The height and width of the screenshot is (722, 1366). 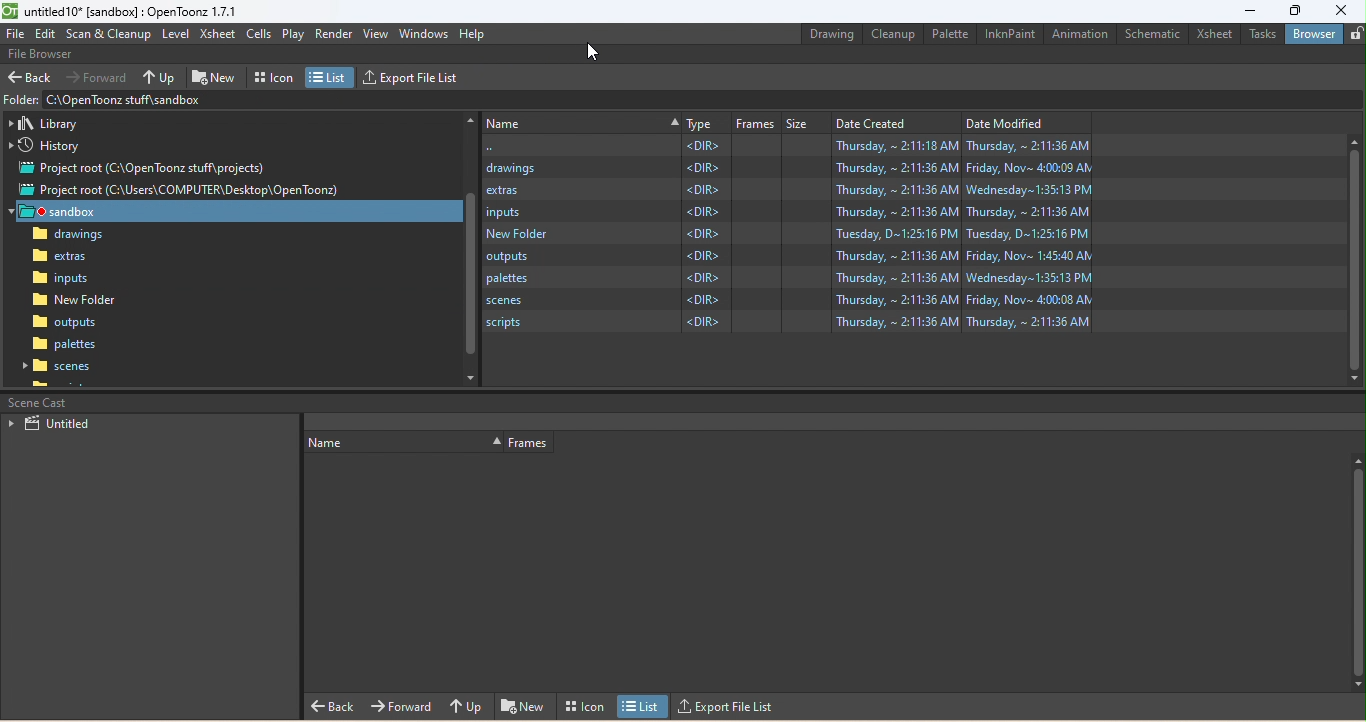 I want to click on InknPaint, so click(x=1012, y=34).